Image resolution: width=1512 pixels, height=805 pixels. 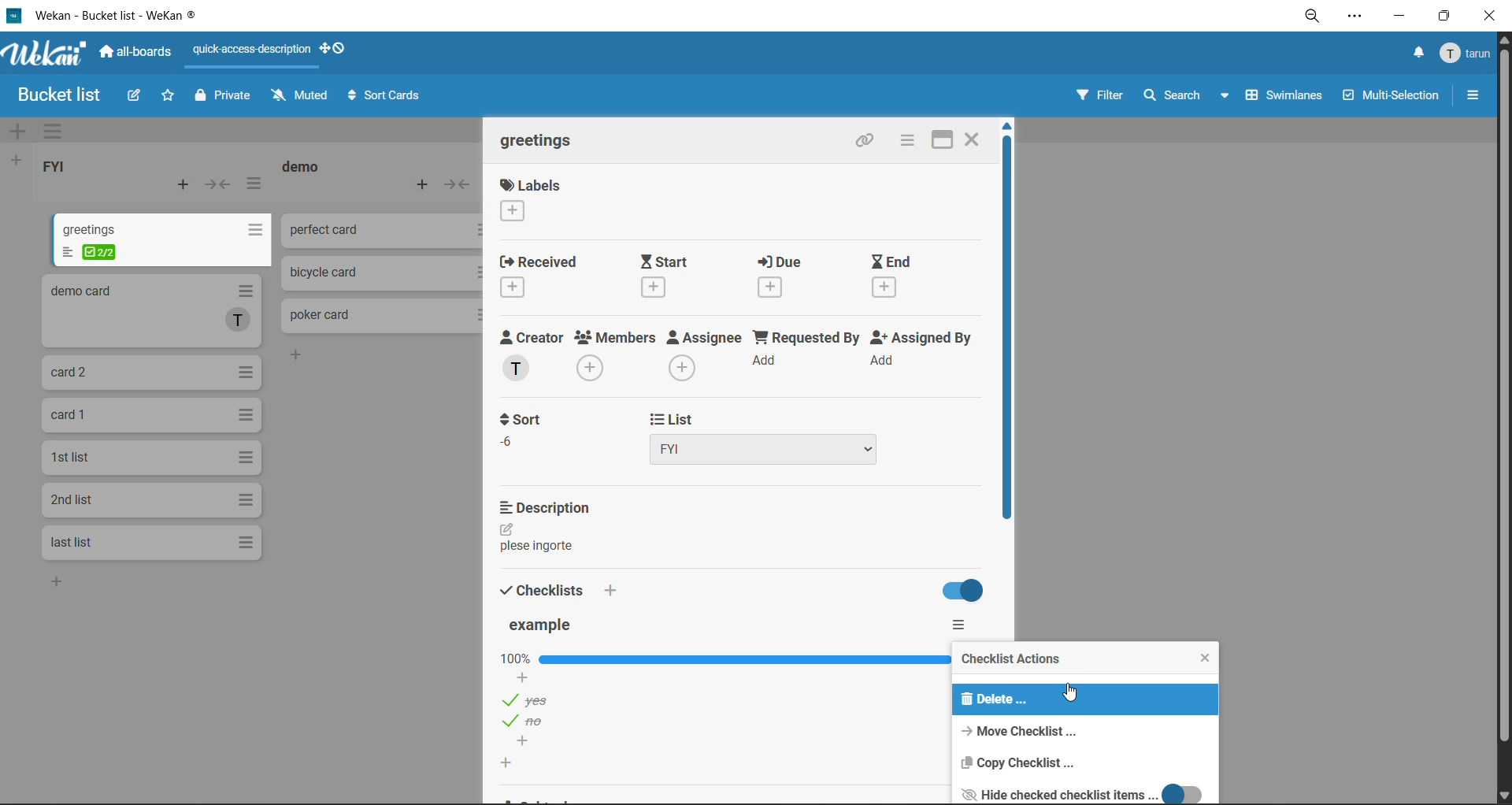 I want to click on muted, so click(x=300, y=95).